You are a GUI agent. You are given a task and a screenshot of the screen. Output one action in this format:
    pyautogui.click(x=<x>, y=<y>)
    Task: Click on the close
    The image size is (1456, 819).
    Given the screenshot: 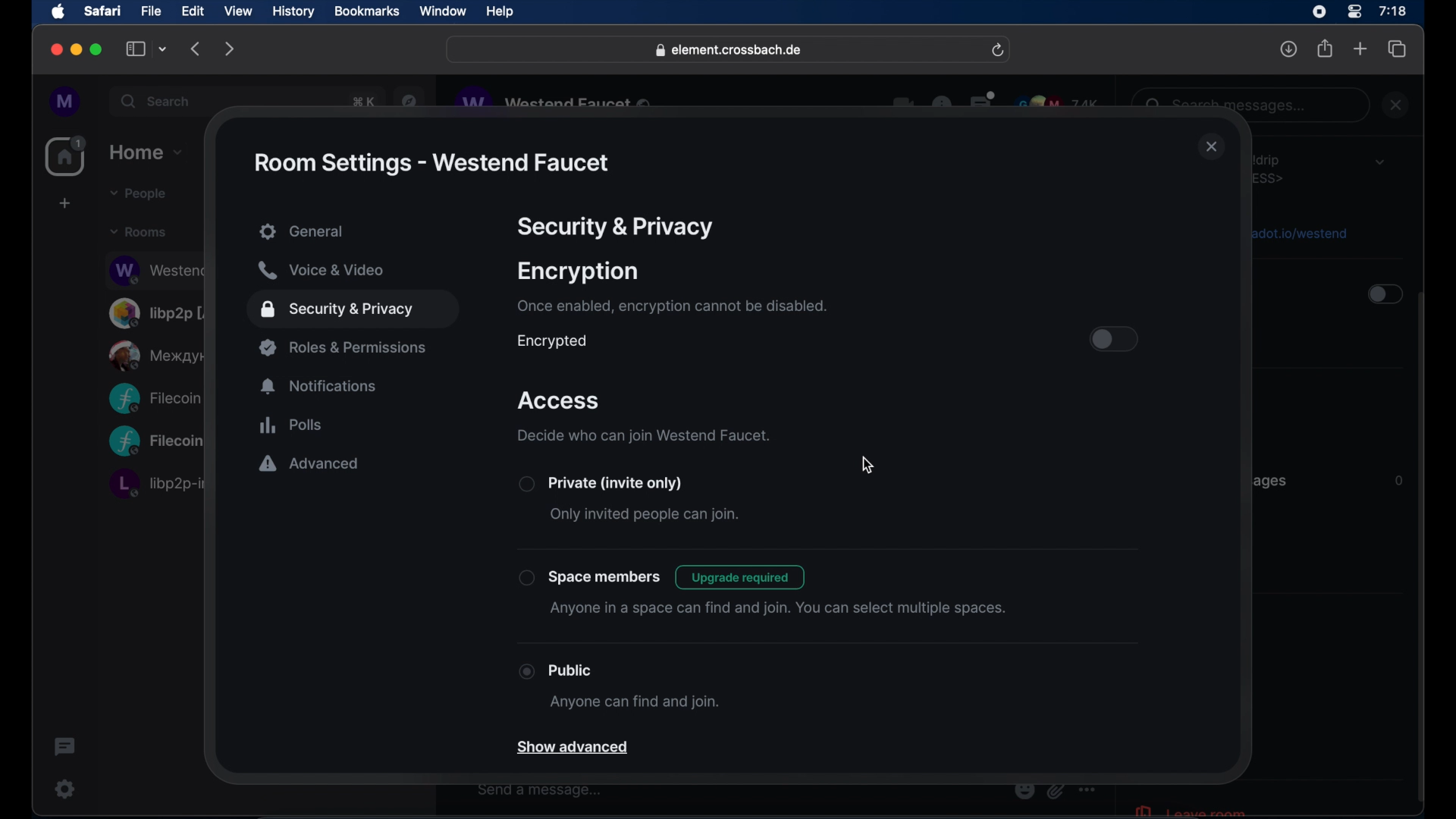 What is the action you would take?
    pyautogui.click(x=1398, y=105)
    